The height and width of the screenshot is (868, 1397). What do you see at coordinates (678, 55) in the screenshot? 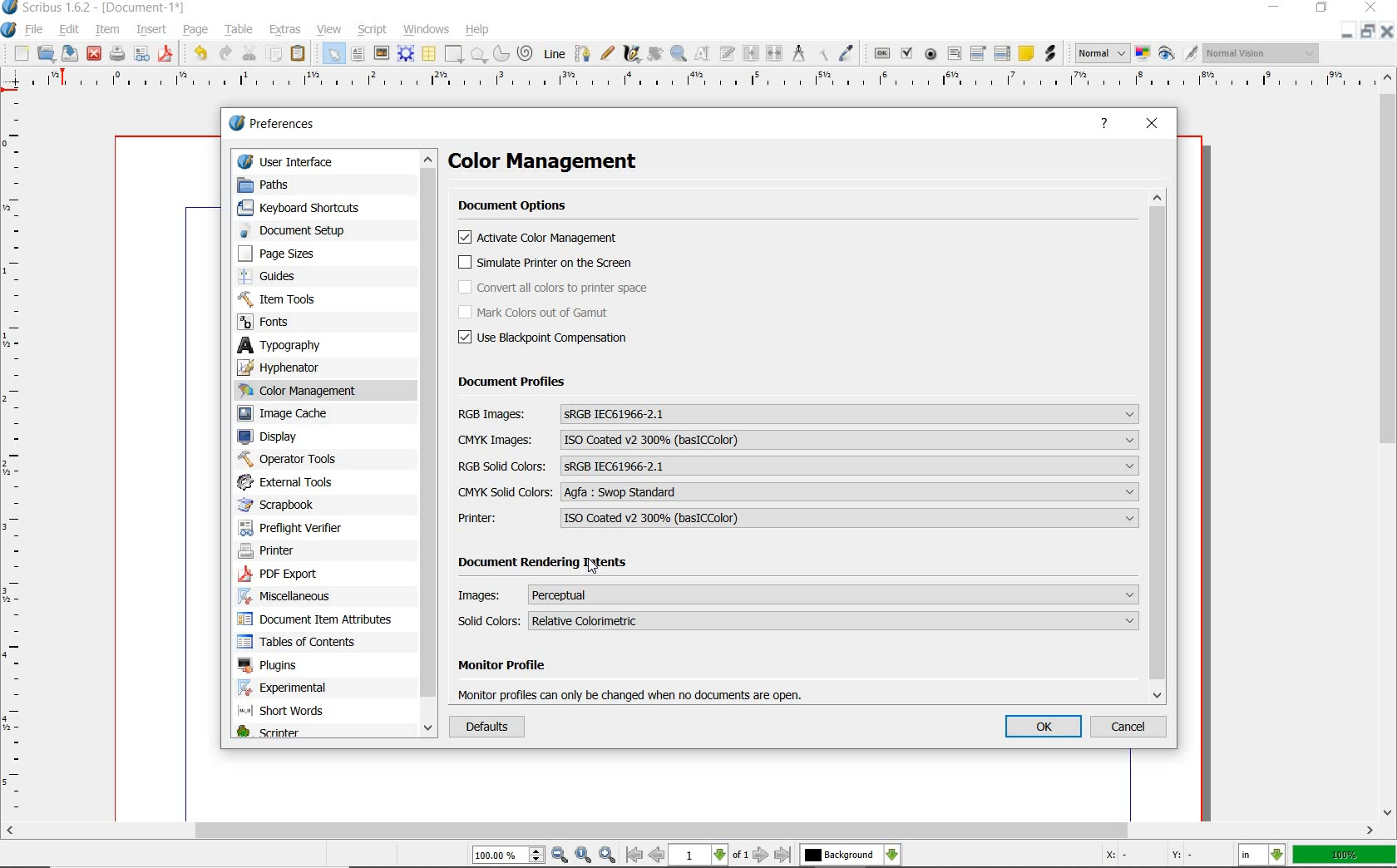
I see `zoom in or zoom out` at bounding box center [678, 55].